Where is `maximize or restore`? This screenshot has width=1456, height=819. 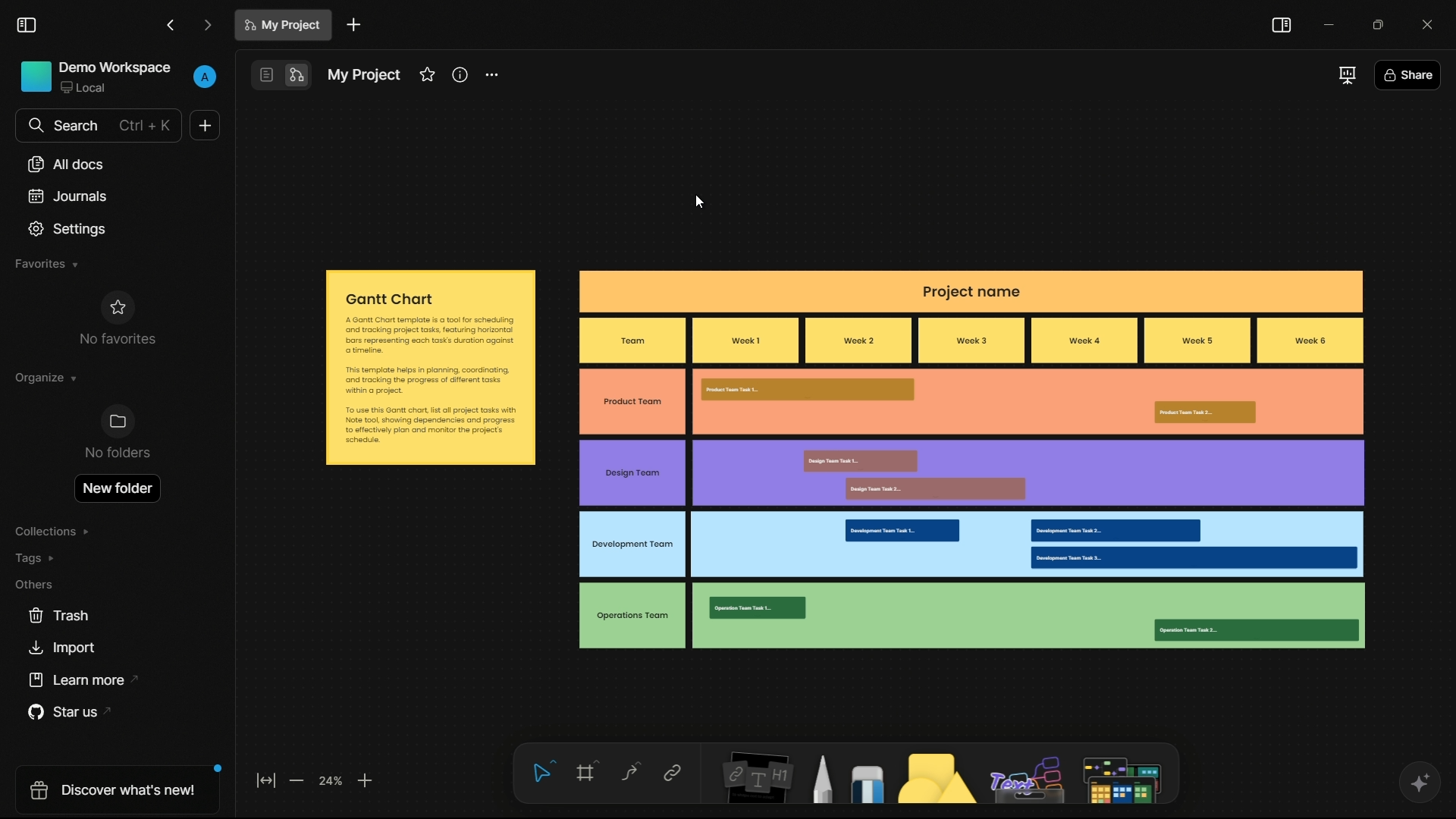
maximize or restore is located at coordinates (1376, 23).